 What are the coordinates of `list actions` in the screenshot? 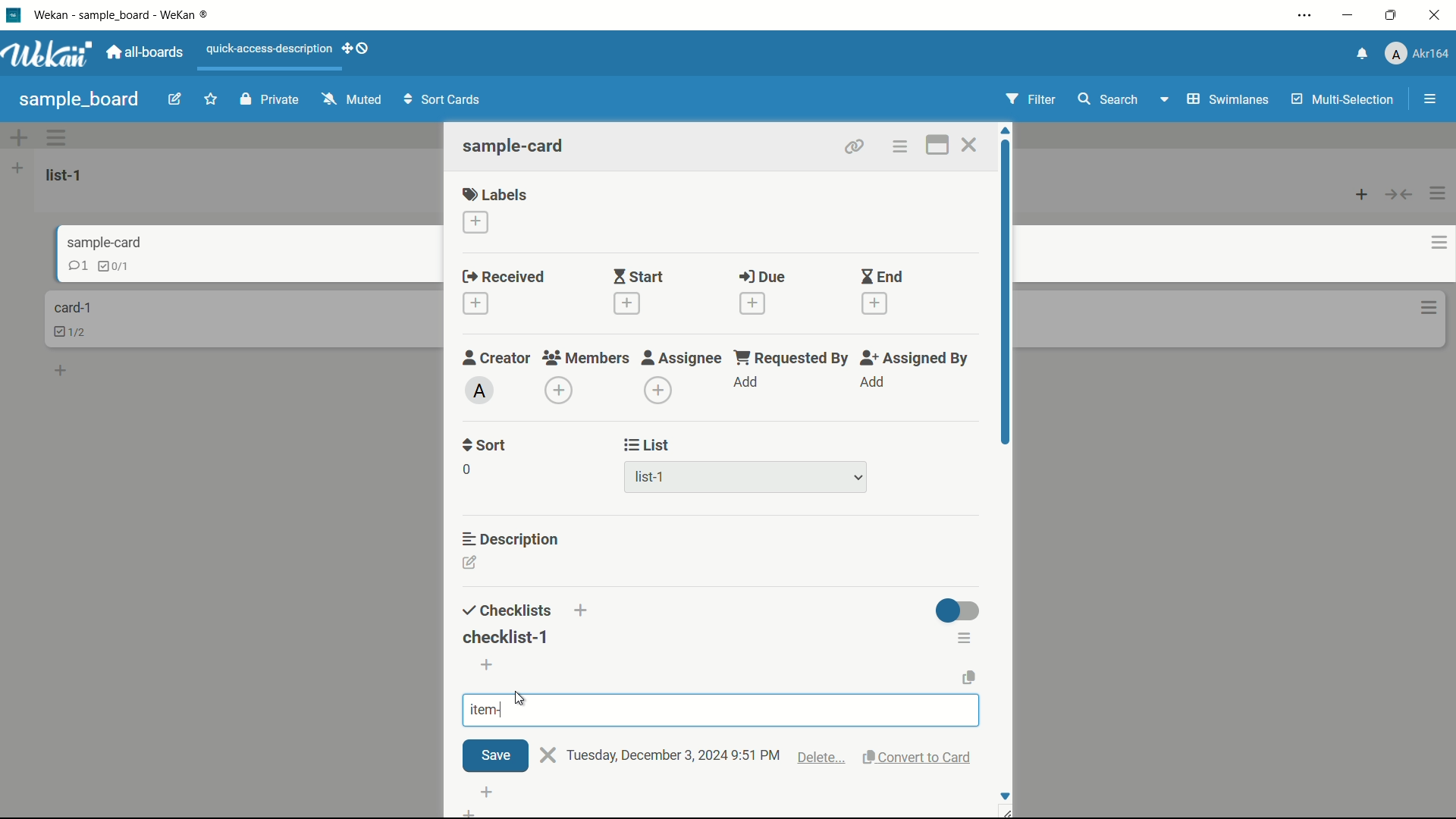 It's located at (1439, 193).